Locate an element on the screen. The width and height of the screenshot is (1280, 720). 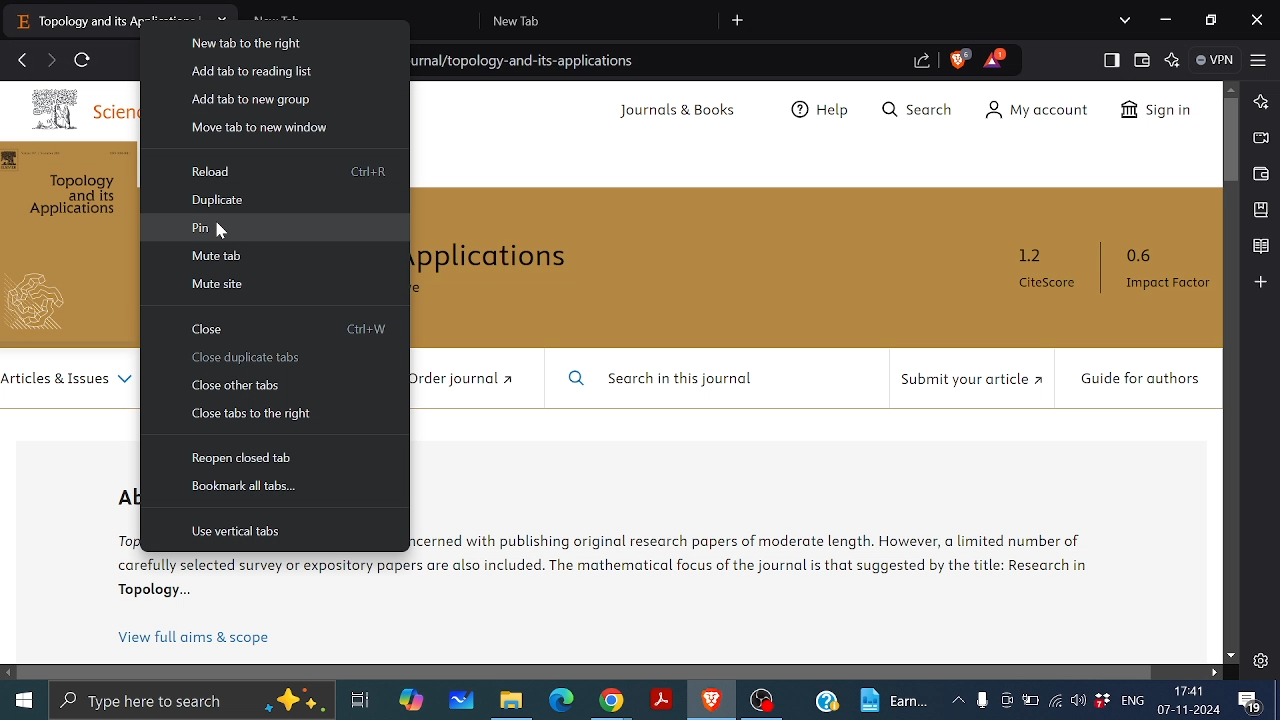
Brave browser is located at coordinates (711, 701).